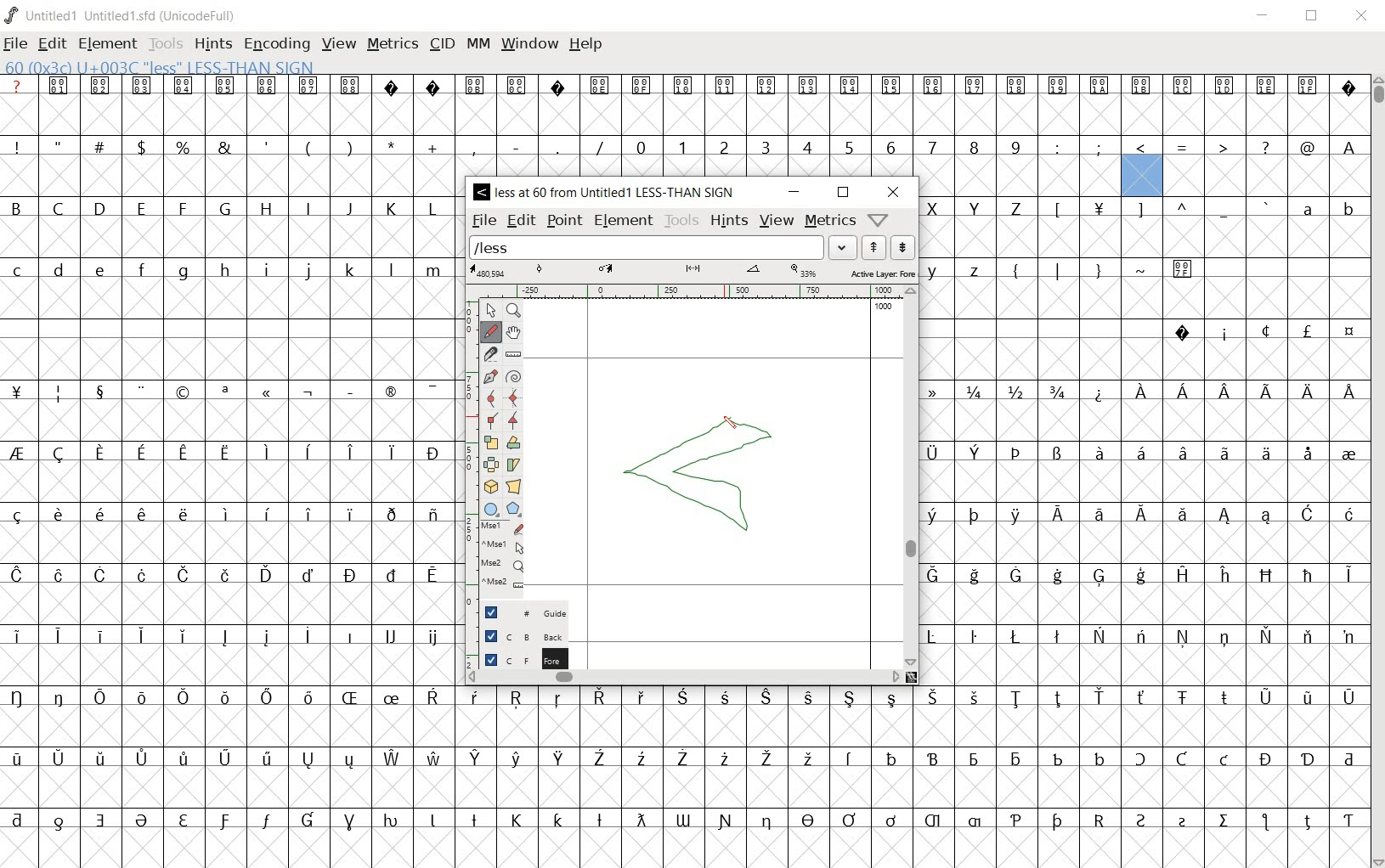 Image resolution: width=1385 pixels, height=868 pixels. I want to click on active layer: foreground, so click(691, 273).